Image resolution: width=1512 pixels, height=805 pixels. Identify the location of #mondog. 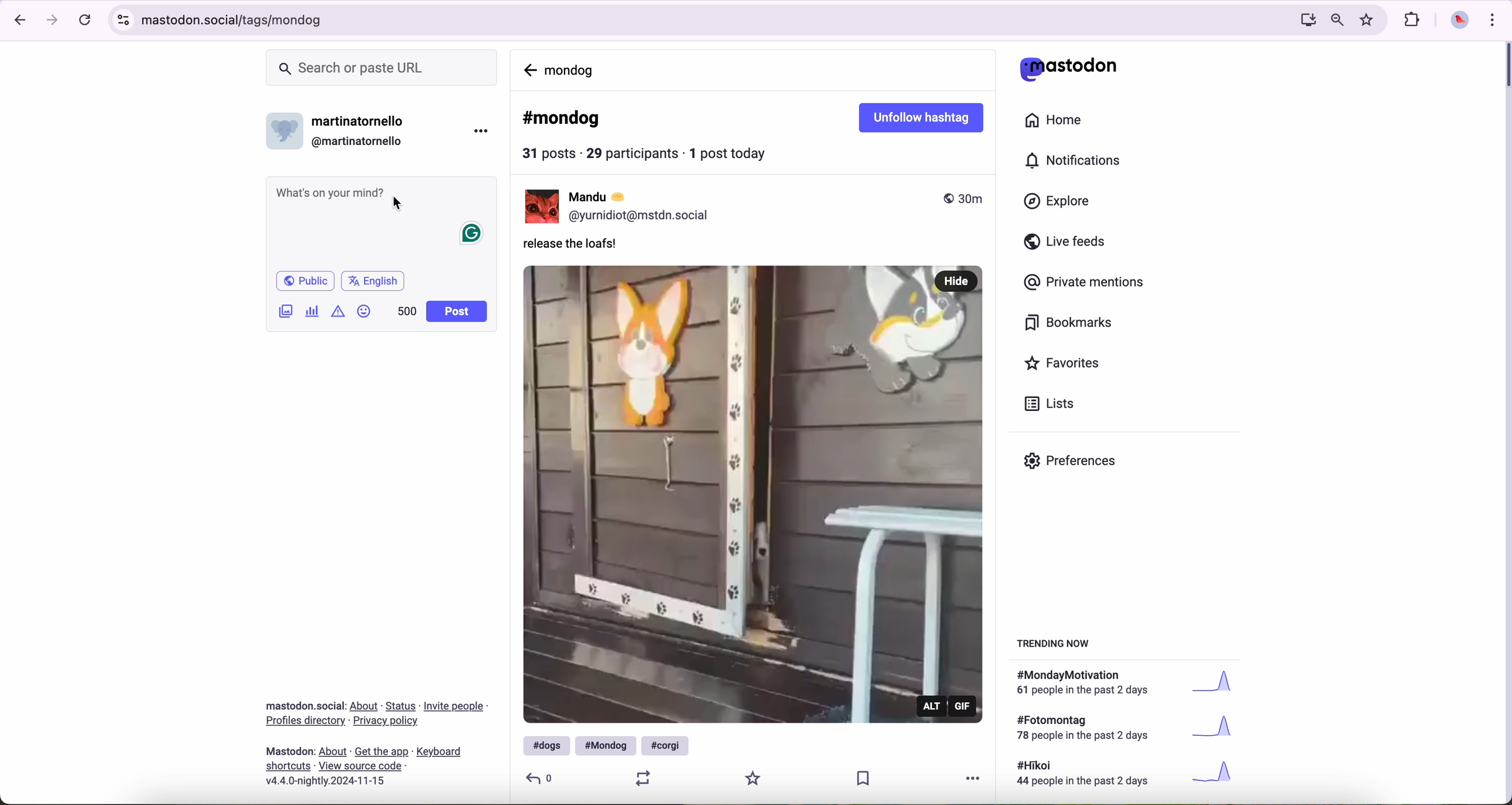
(562, 119).